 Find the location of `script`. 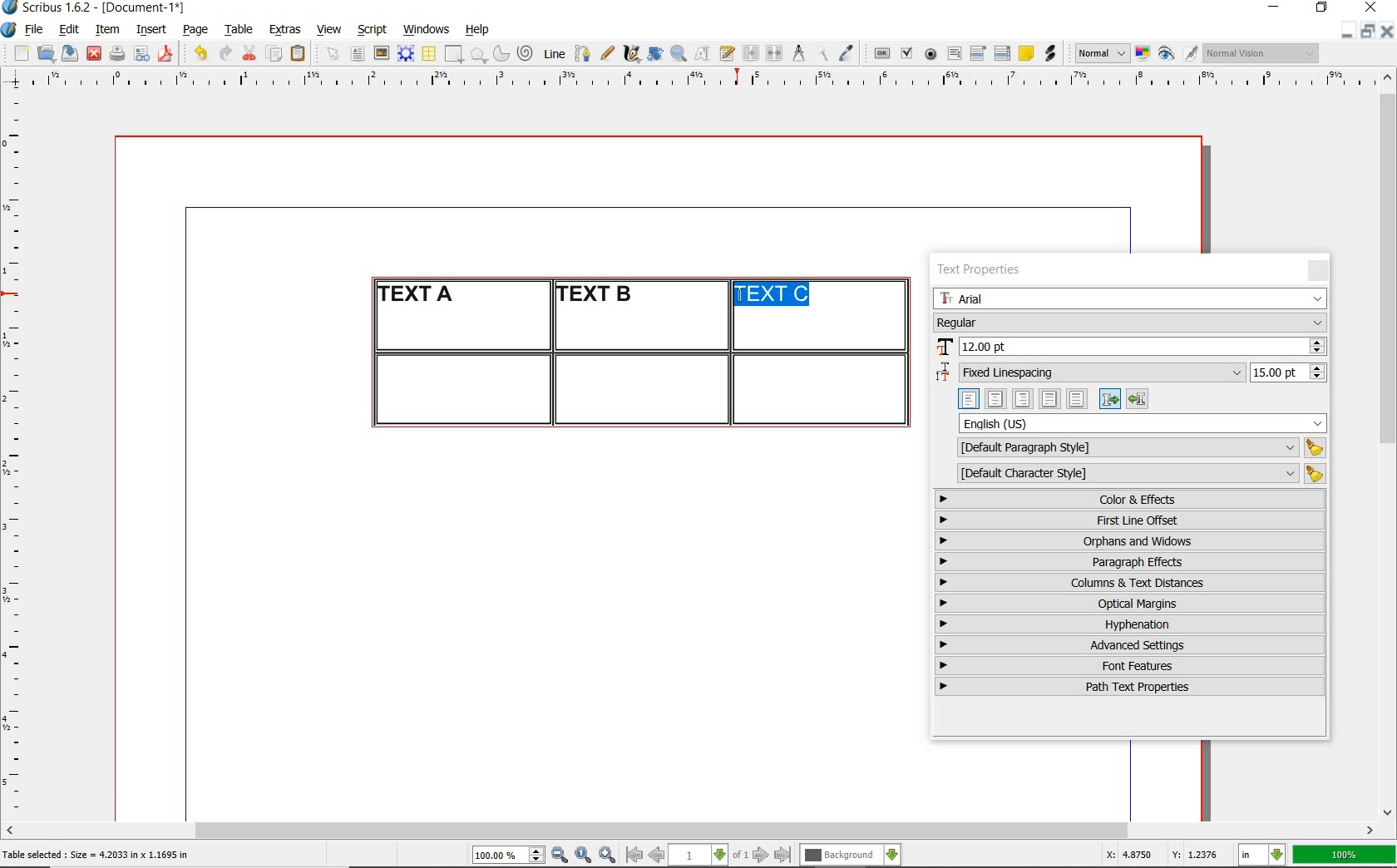

script is located at coordinates (372, 29).